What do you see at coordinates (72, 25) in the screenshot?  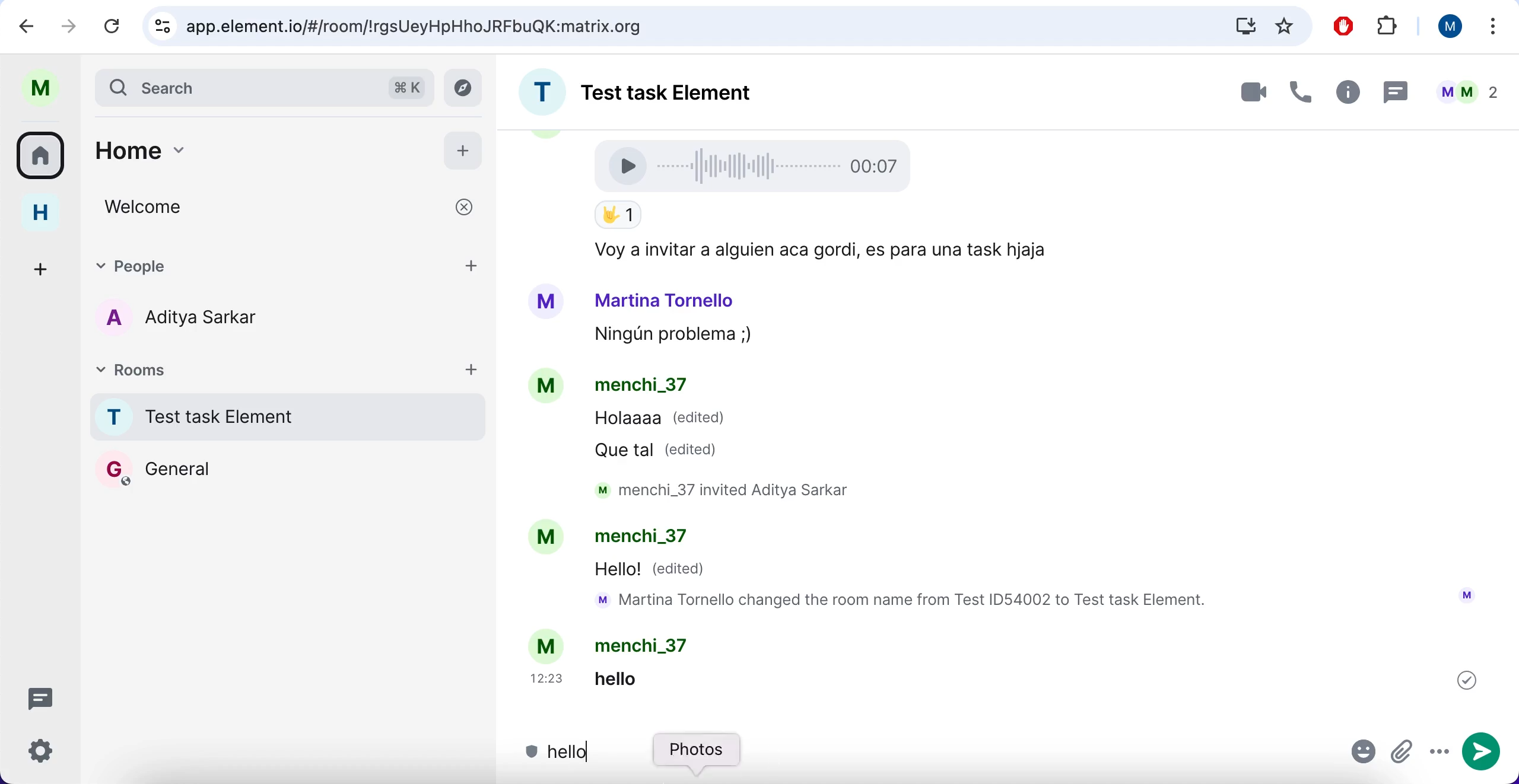 I see `go one page forward` at bounding box center [72, 25].